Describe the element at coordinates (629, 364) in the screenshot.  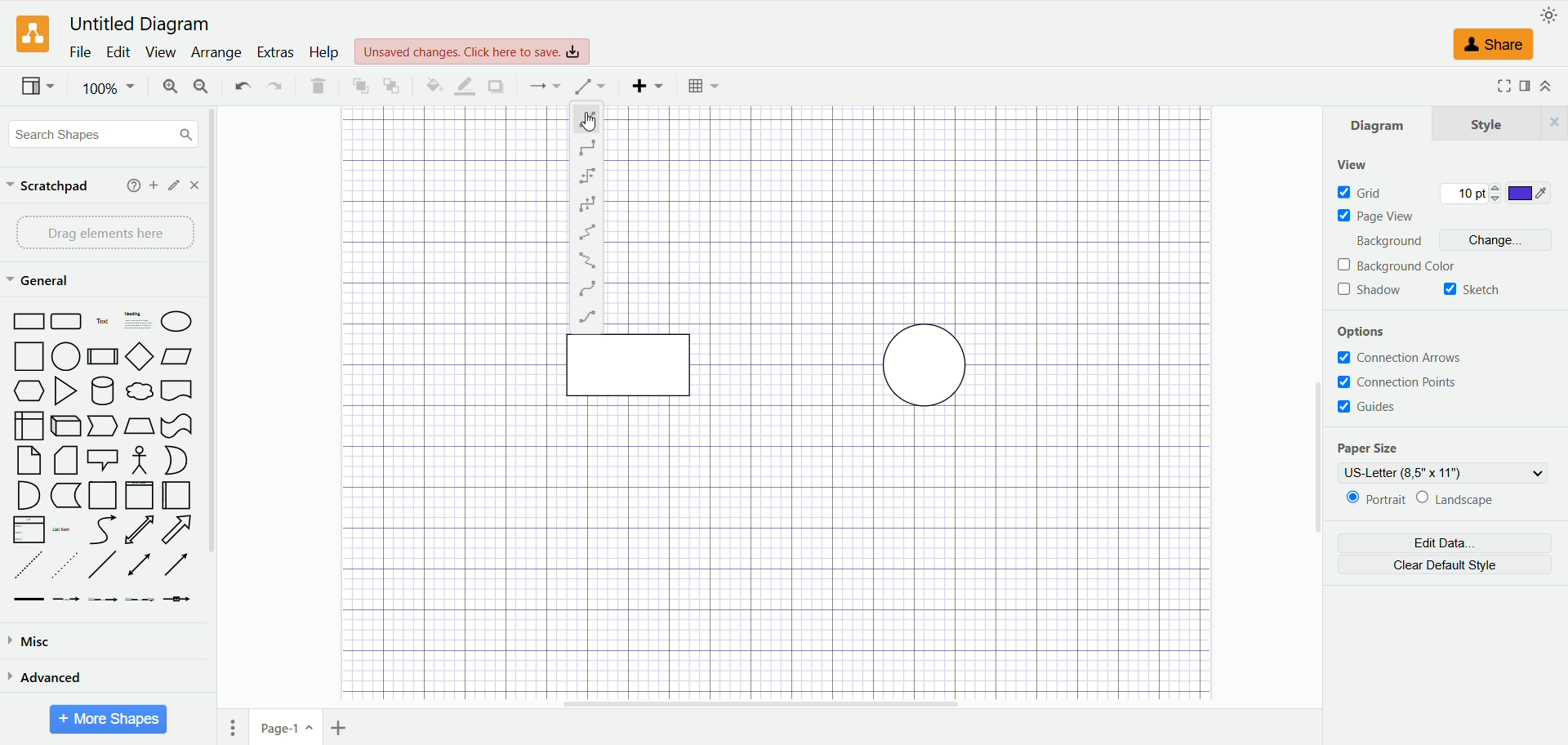
I see `rectangle` at that location.